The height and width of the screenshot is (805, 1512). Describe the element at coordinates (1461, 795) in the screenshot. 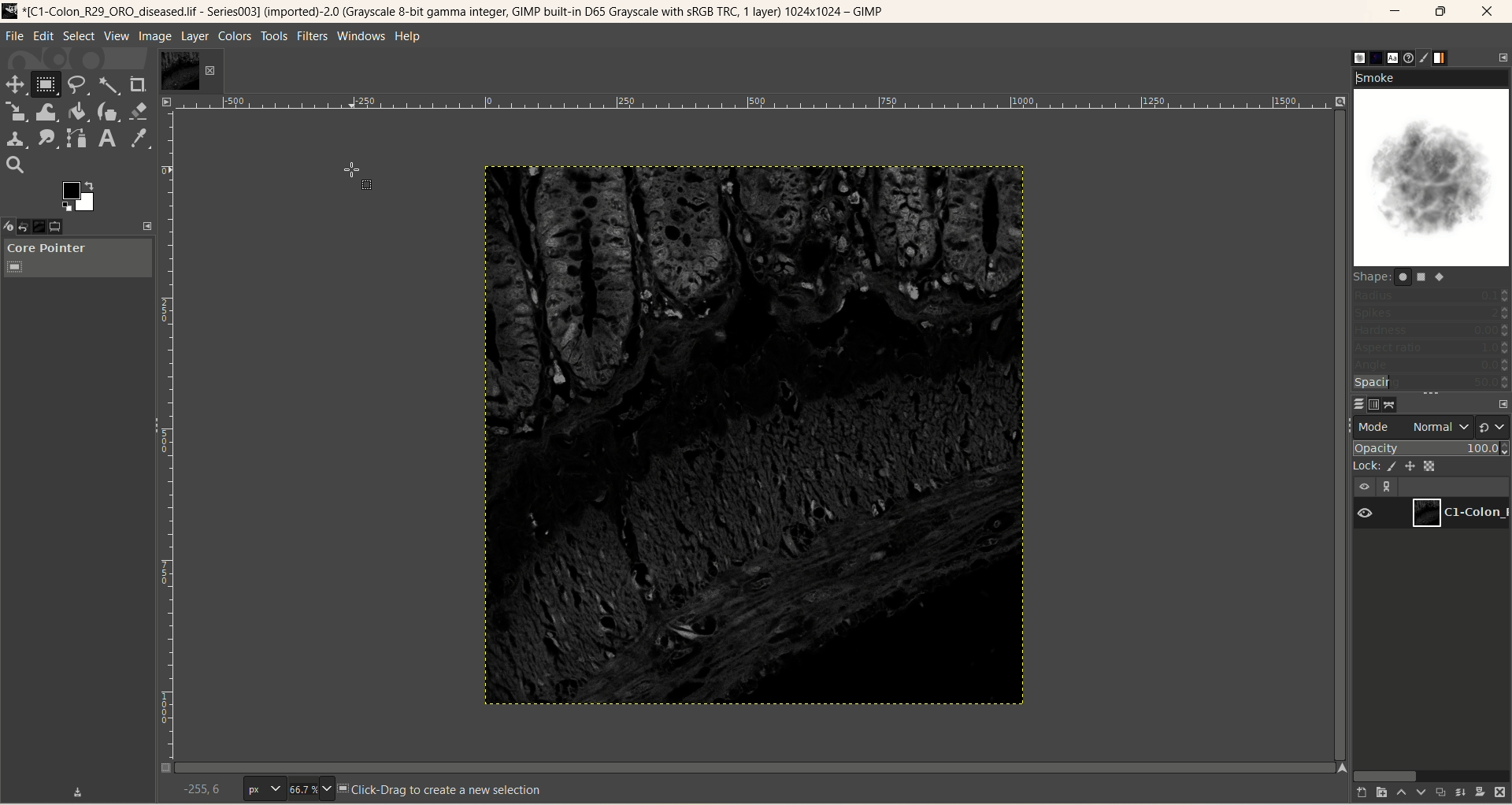

I see `merge layer` at that location.